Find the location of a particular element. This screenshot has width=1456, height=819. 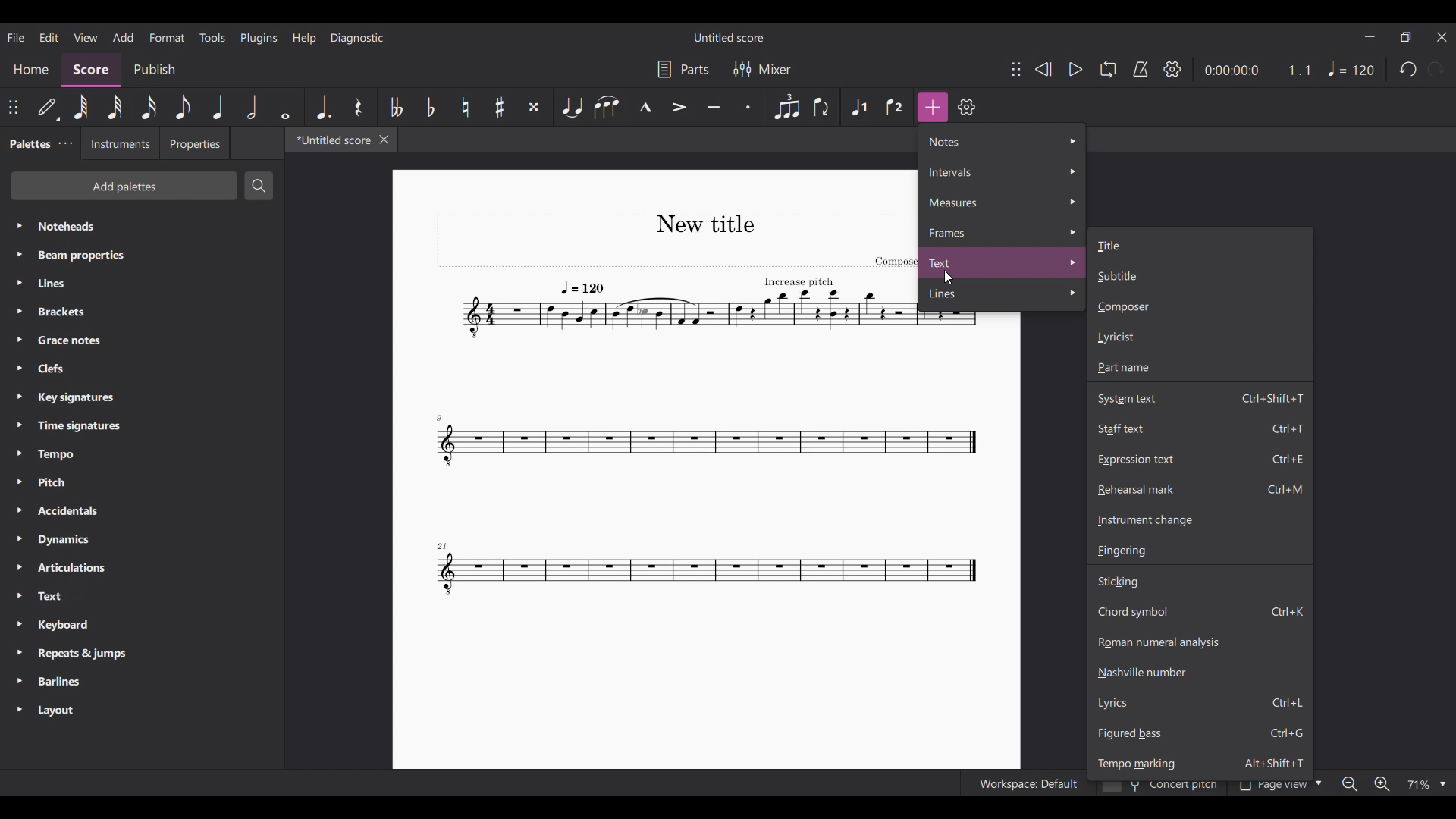

Rehearsal mark is located at coordinates (1200, 489).